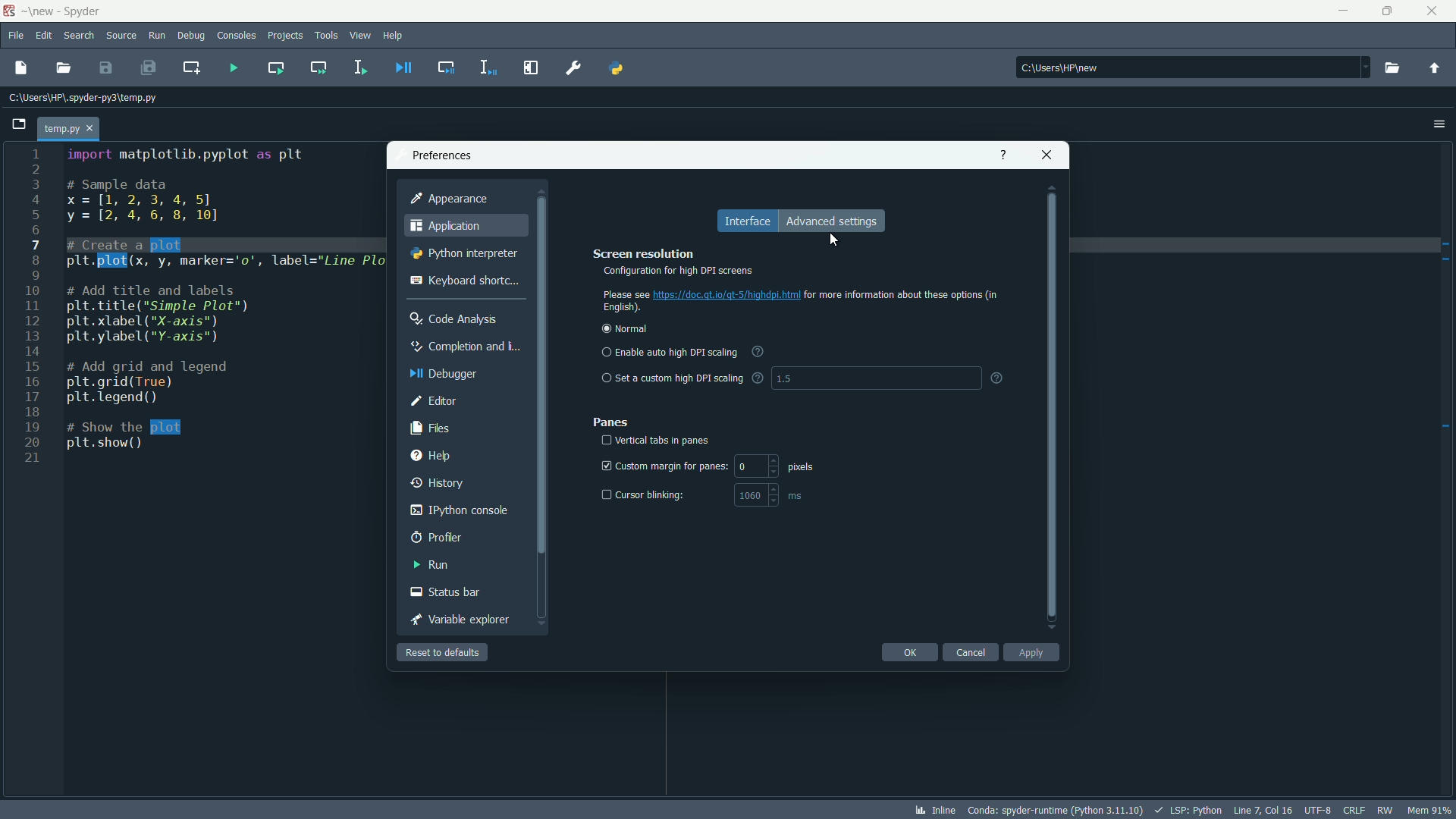  I want to click on enable auto high DPI scaling, so click(670, 352).